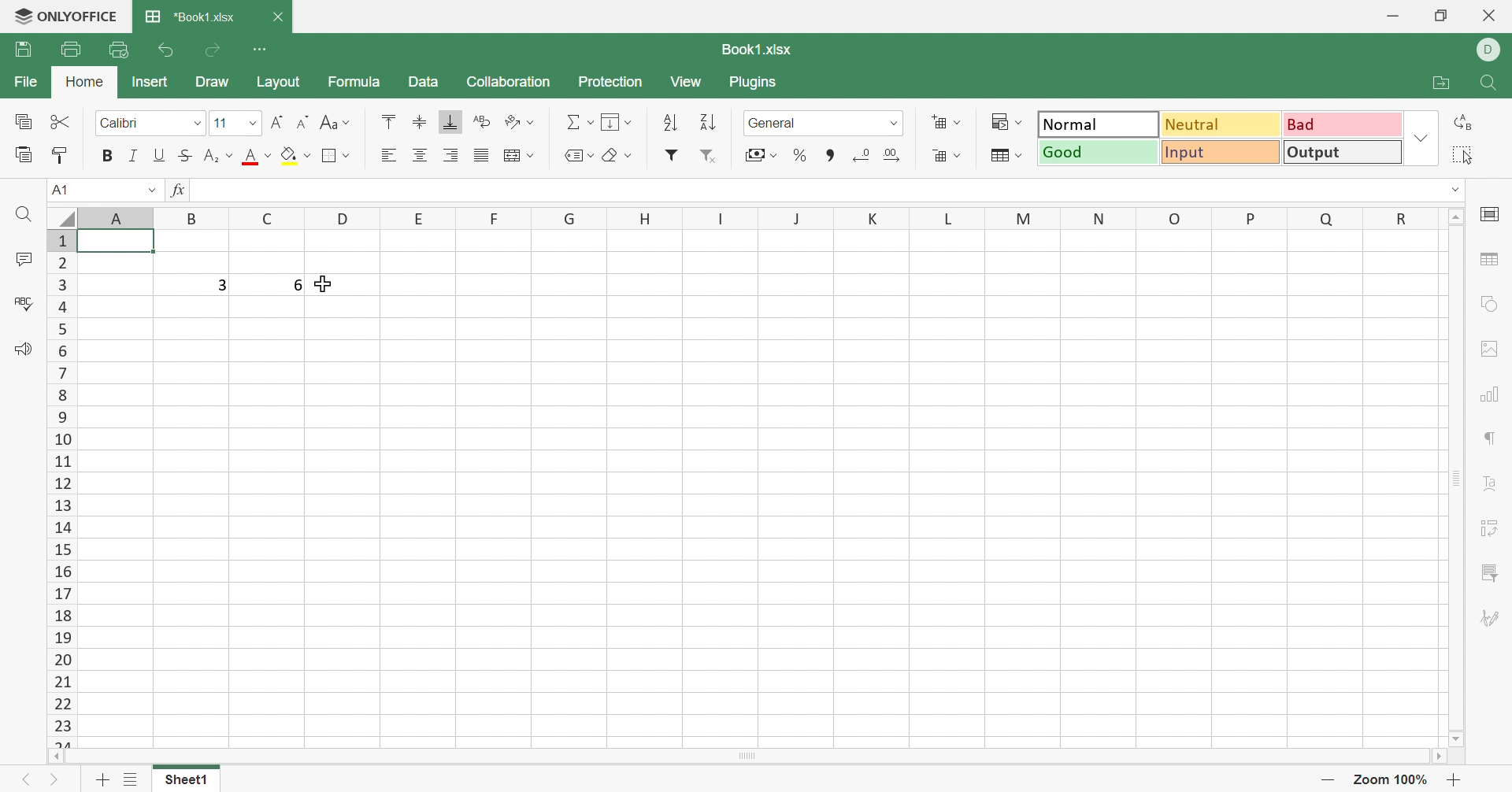 Image resolution: width=1512 pixels, height=792 pixels. I want to click on Good, so click(1099, 151).